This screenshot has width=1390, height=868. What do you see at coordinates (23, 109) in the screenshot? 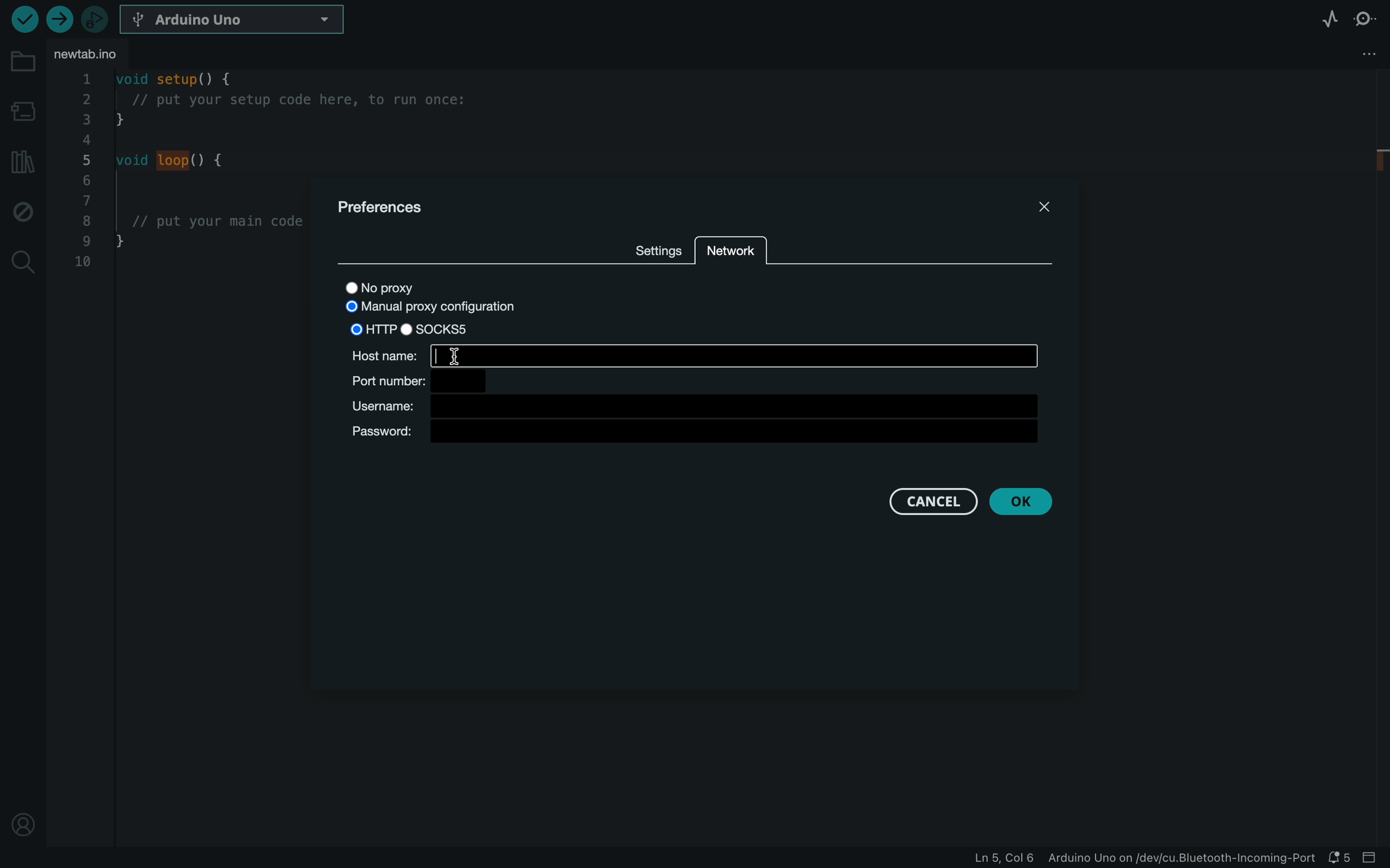
I see `board manager` at bounding box center [23, 109].